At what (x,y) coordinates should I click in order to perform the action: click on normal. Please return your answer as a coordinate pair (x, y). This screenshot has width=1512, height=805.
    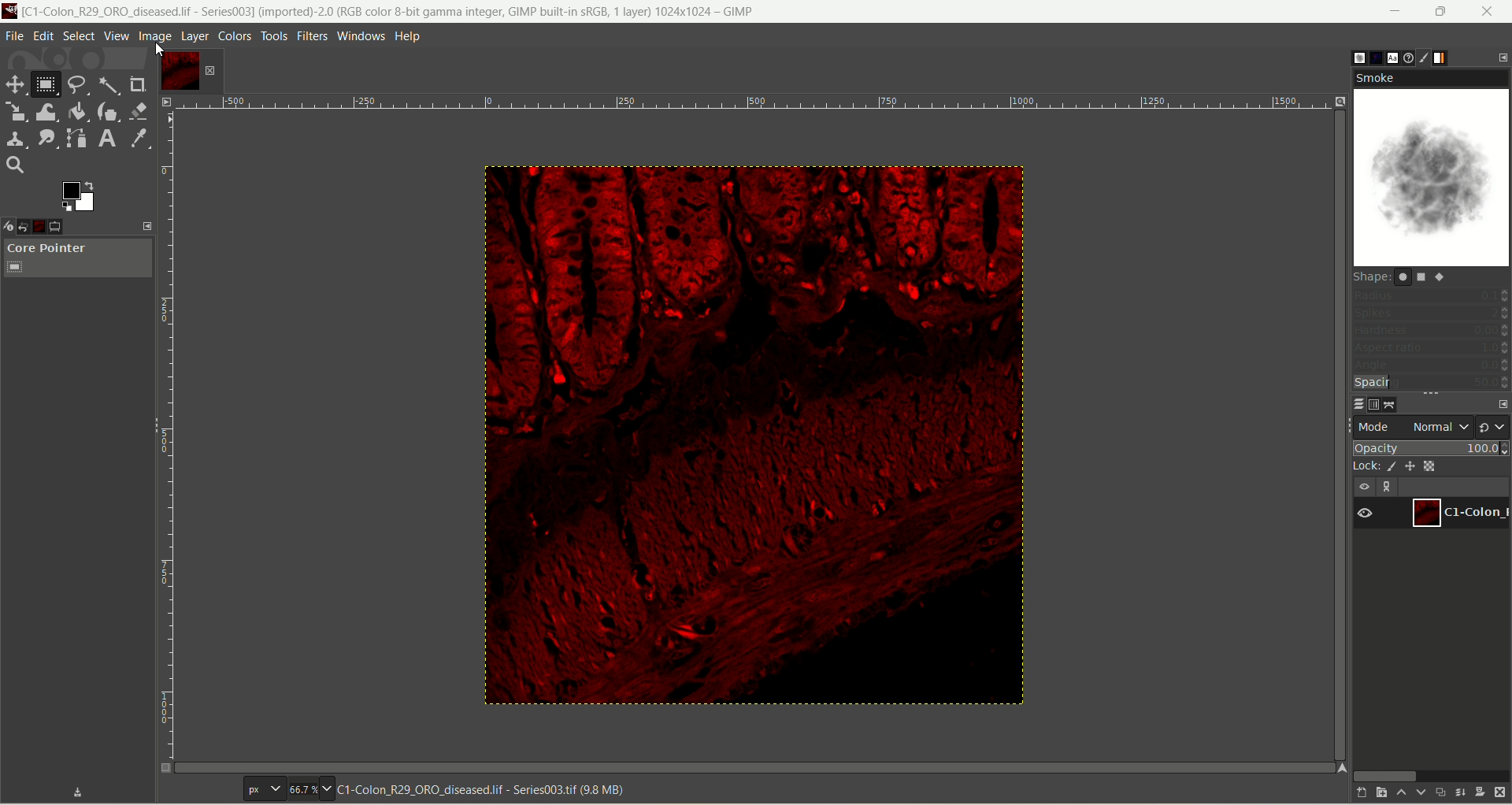
    Looking at the image, I should click on (1438, 427).